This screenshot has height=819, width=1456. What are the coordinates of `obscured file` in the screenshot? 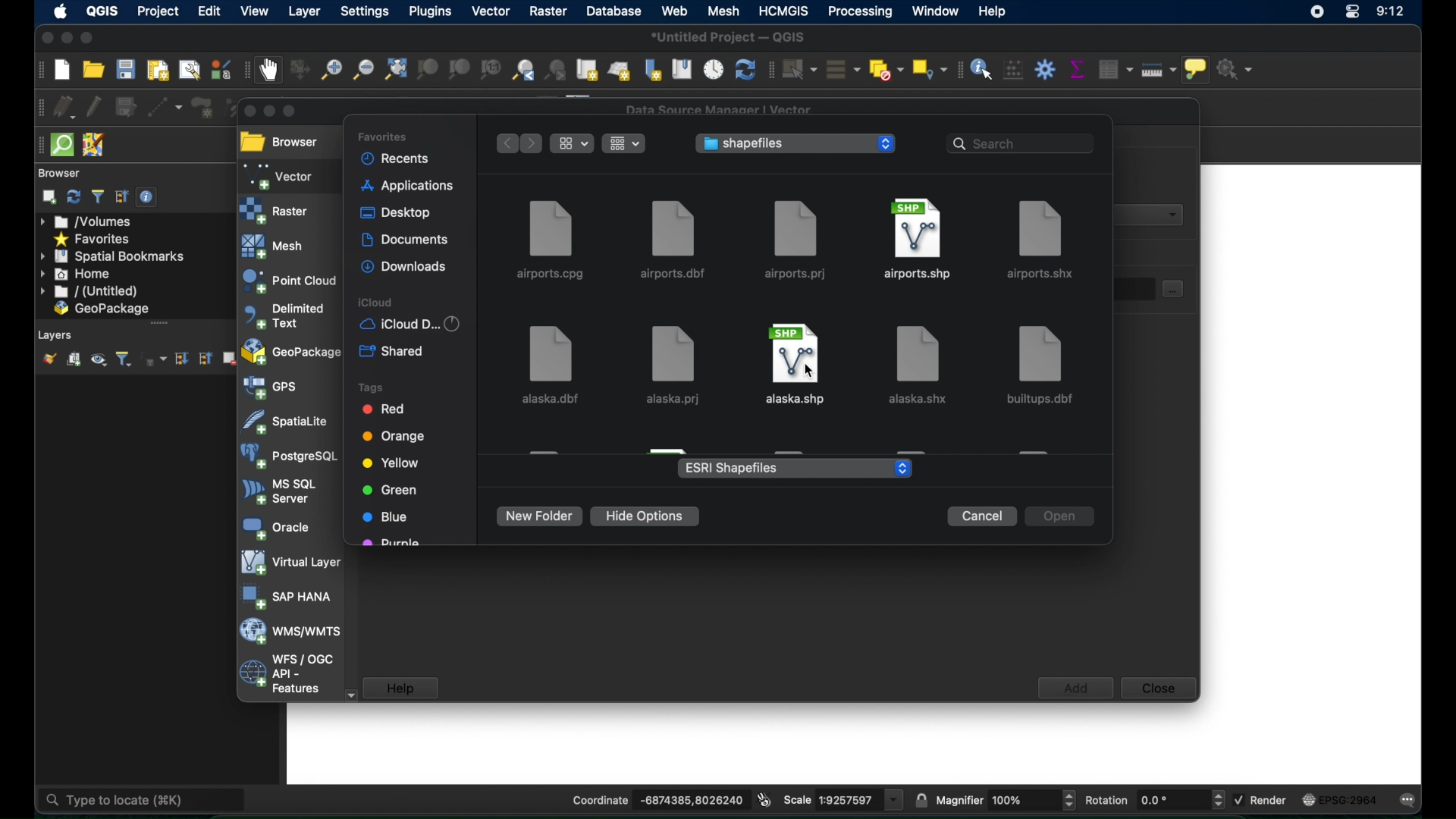 It's located at (544, 453).